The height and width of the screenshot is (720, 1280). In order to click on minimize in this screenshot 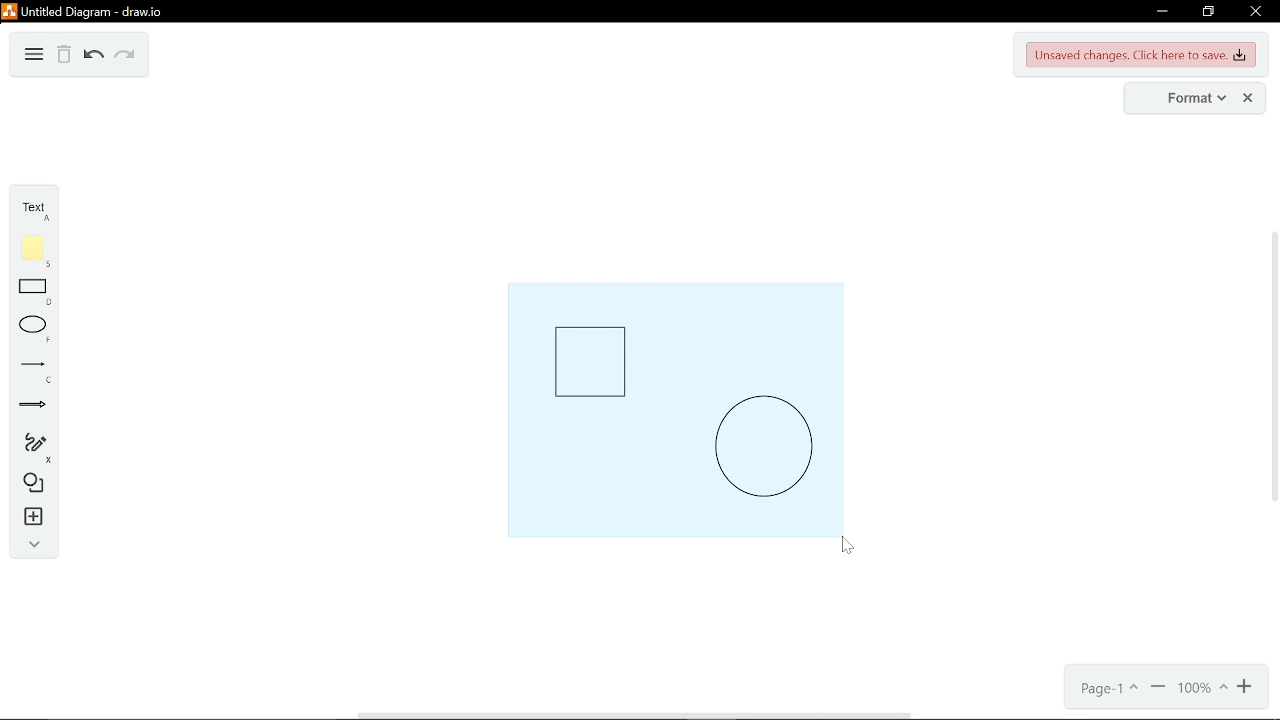, I will do `click(1161, 13)`.